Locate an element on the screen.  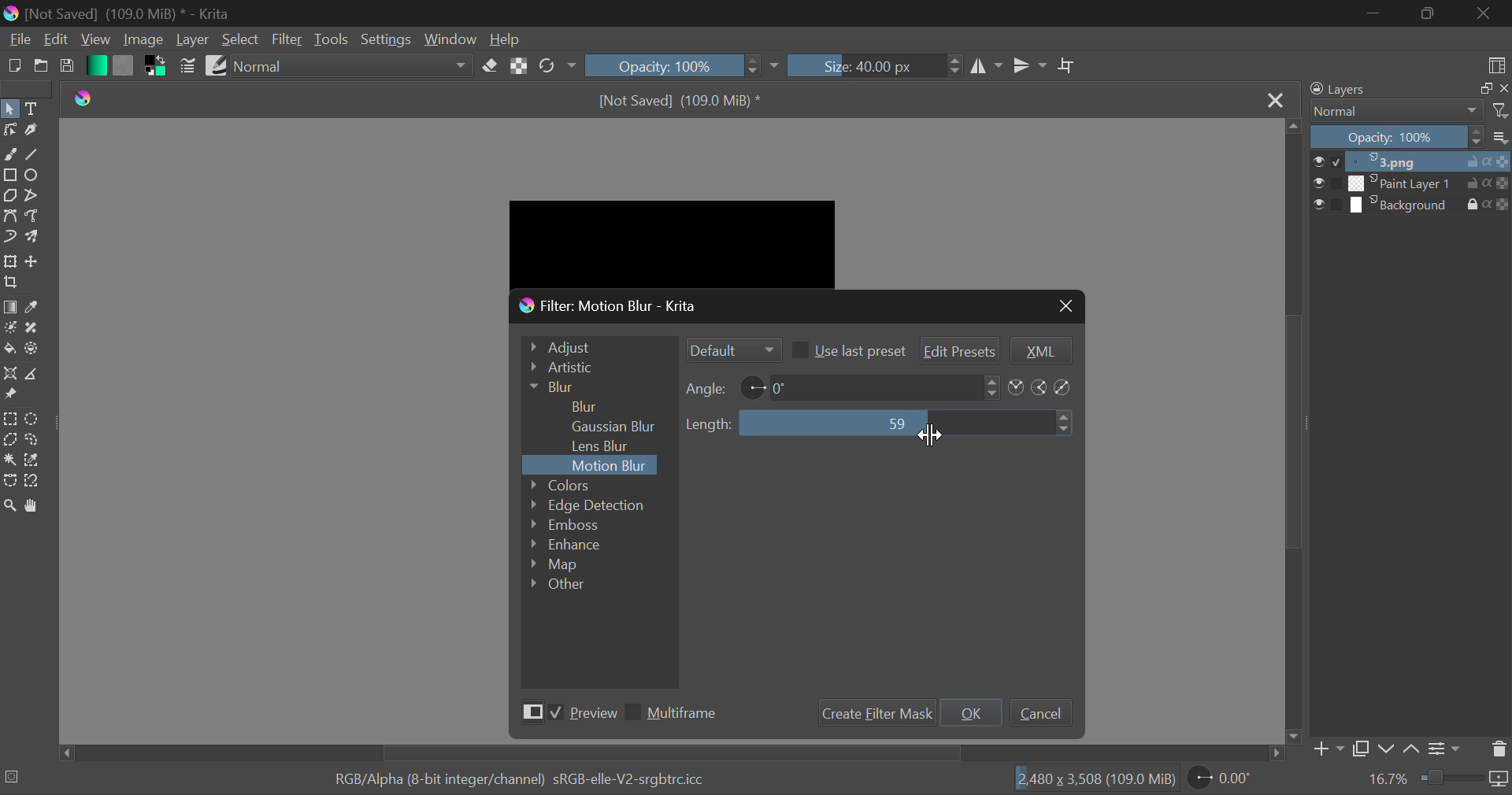
Eraser is located at coordinates (491, 65).